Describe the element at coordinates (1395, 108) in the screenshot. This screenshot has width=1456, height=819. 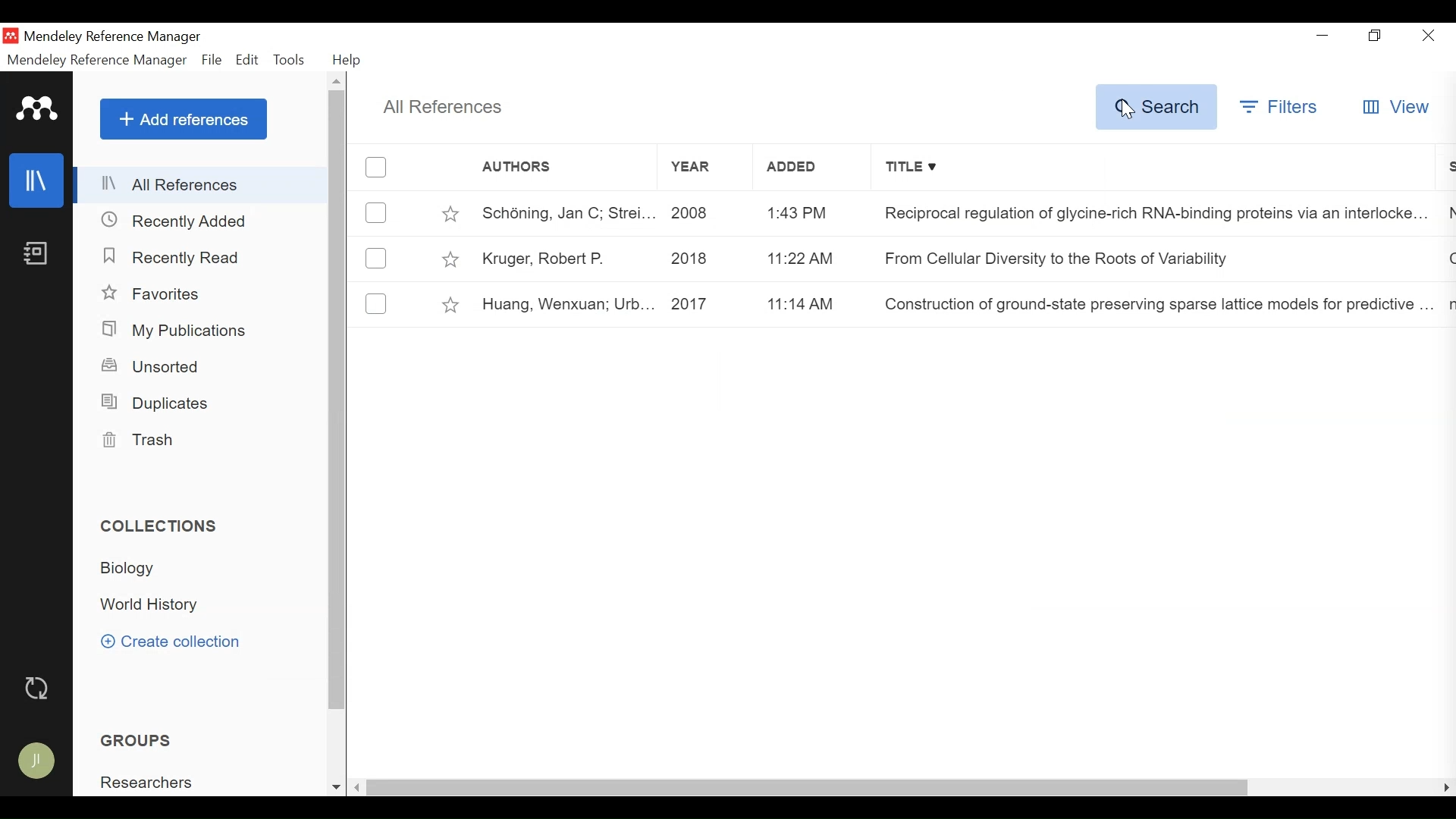
I see `View` at that location.